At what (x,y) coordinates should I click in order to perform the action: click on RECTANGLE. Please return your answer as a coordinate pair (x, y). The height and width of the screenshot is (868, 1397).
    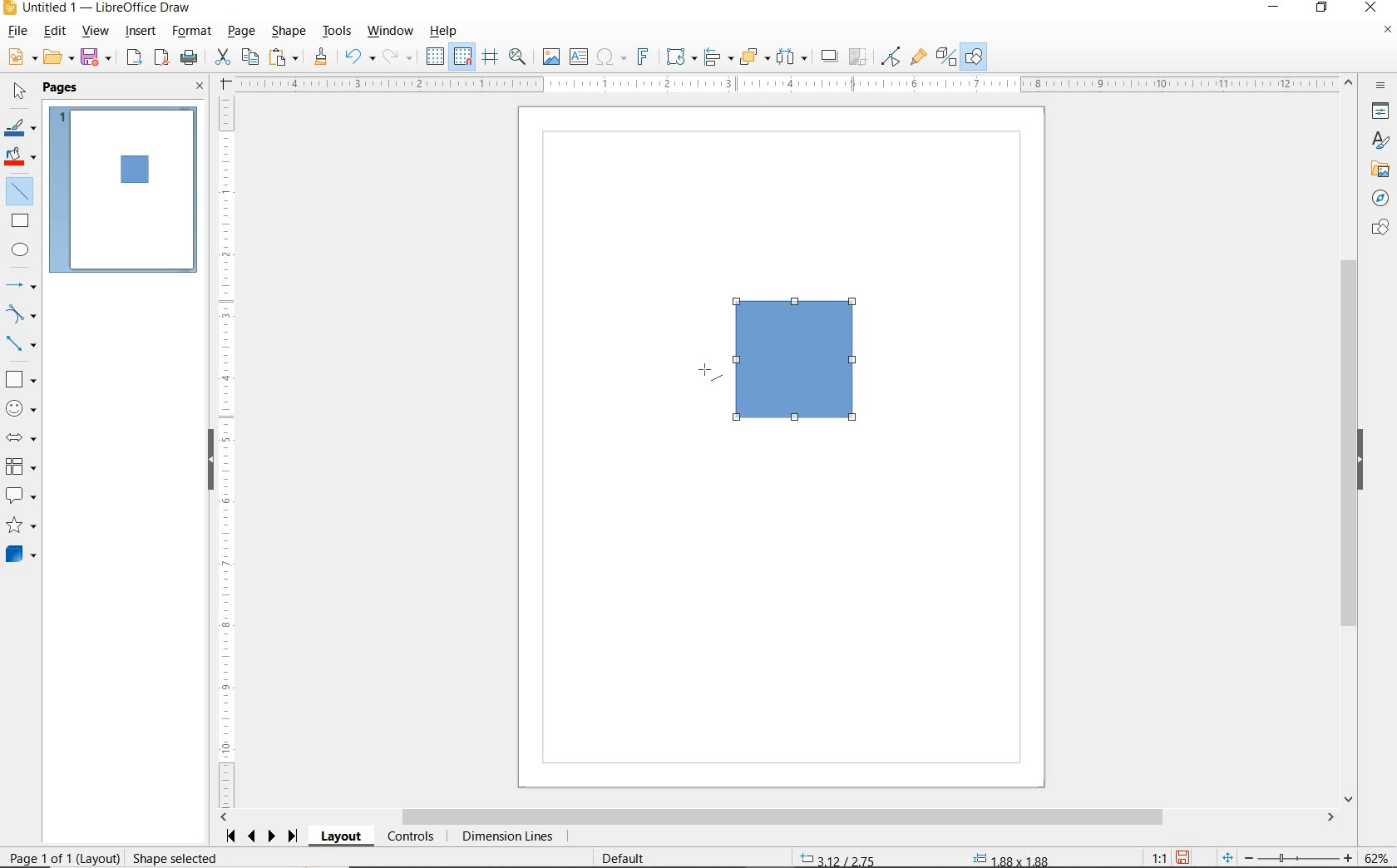
    Looking at the image, I should click on (21, 220).